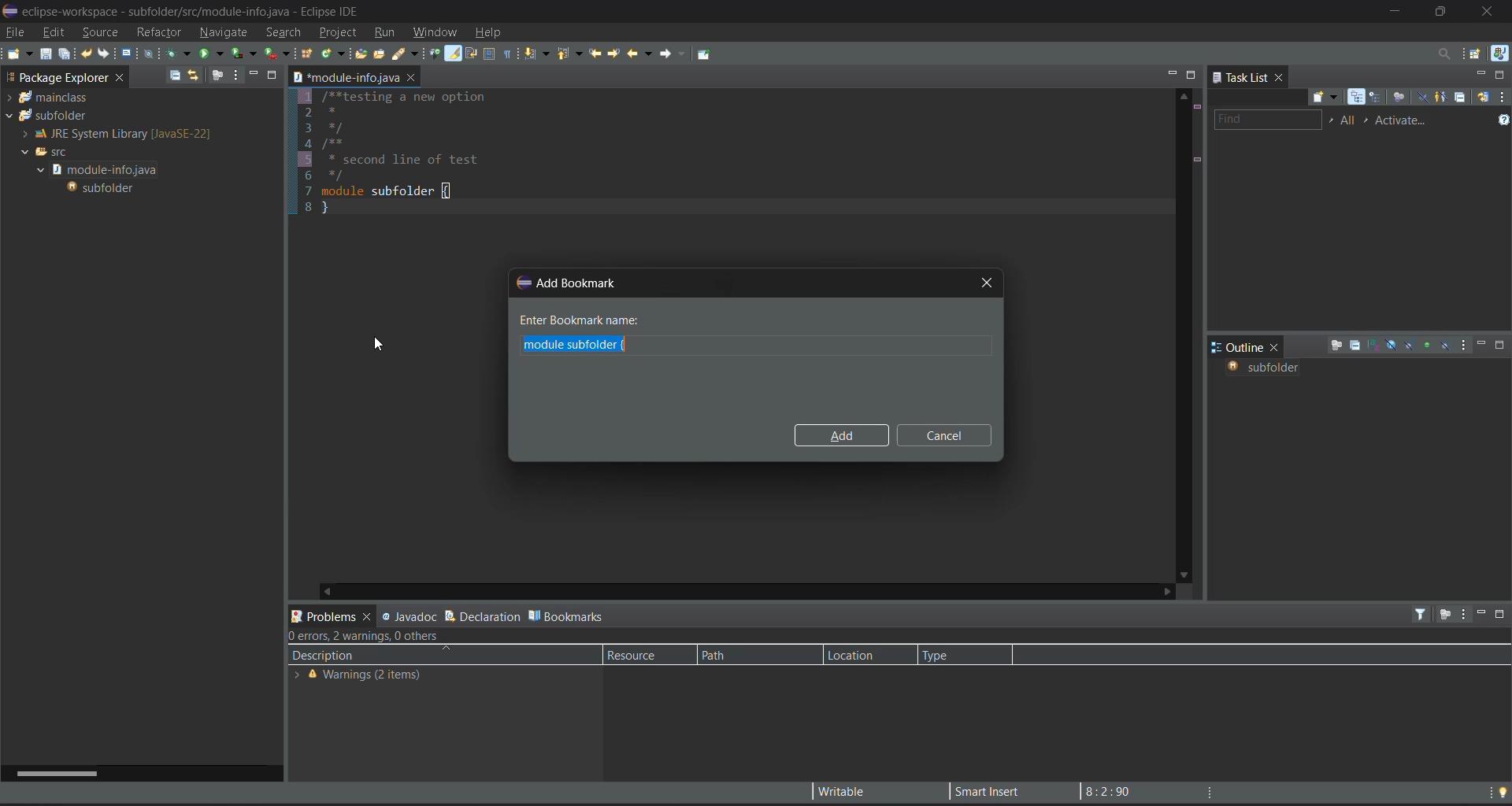  I want to click on add bookmark, so click(567, 281).